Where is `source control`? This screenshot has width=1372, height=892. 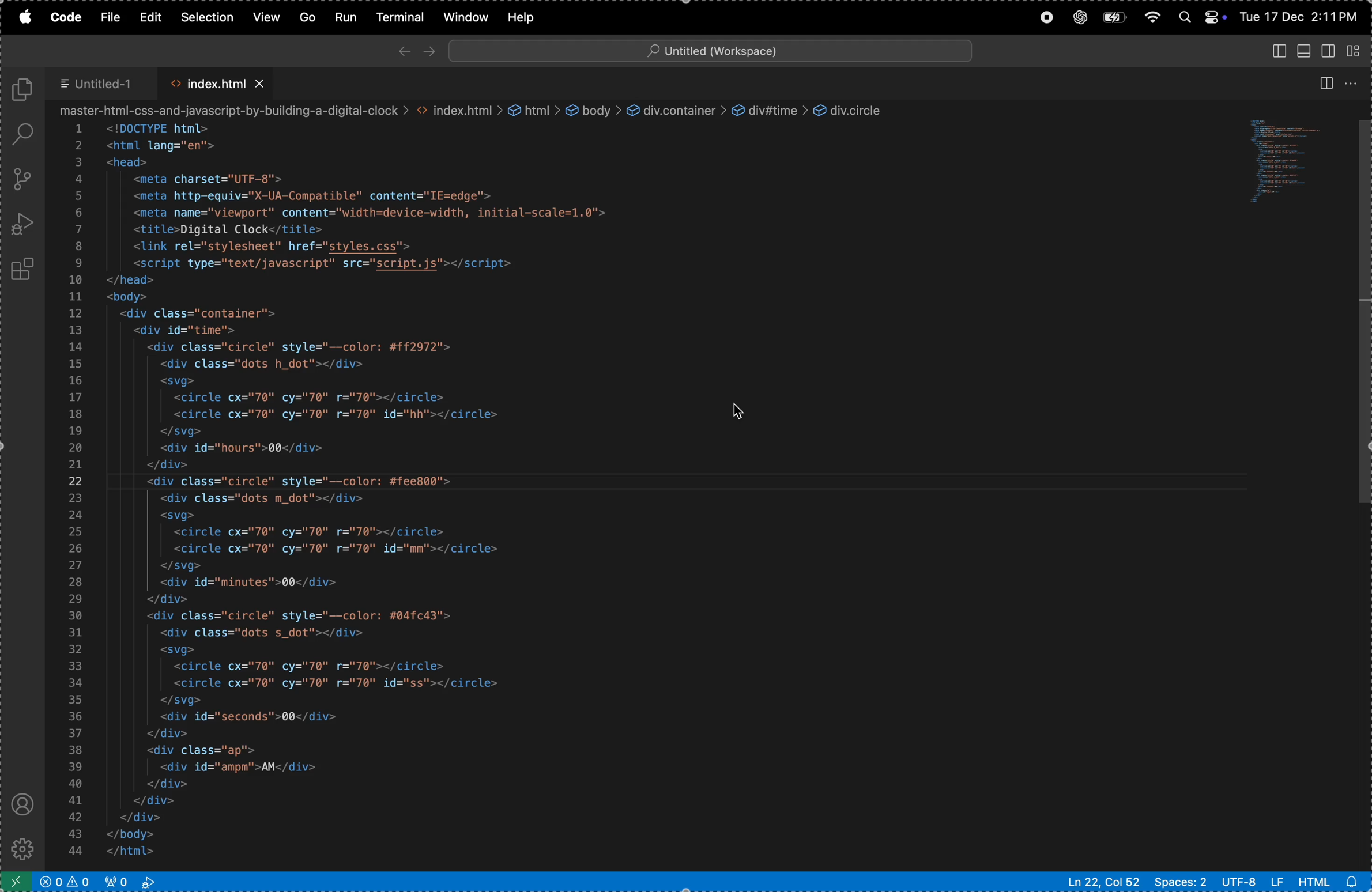 source control is located at coordinates (21, 179).